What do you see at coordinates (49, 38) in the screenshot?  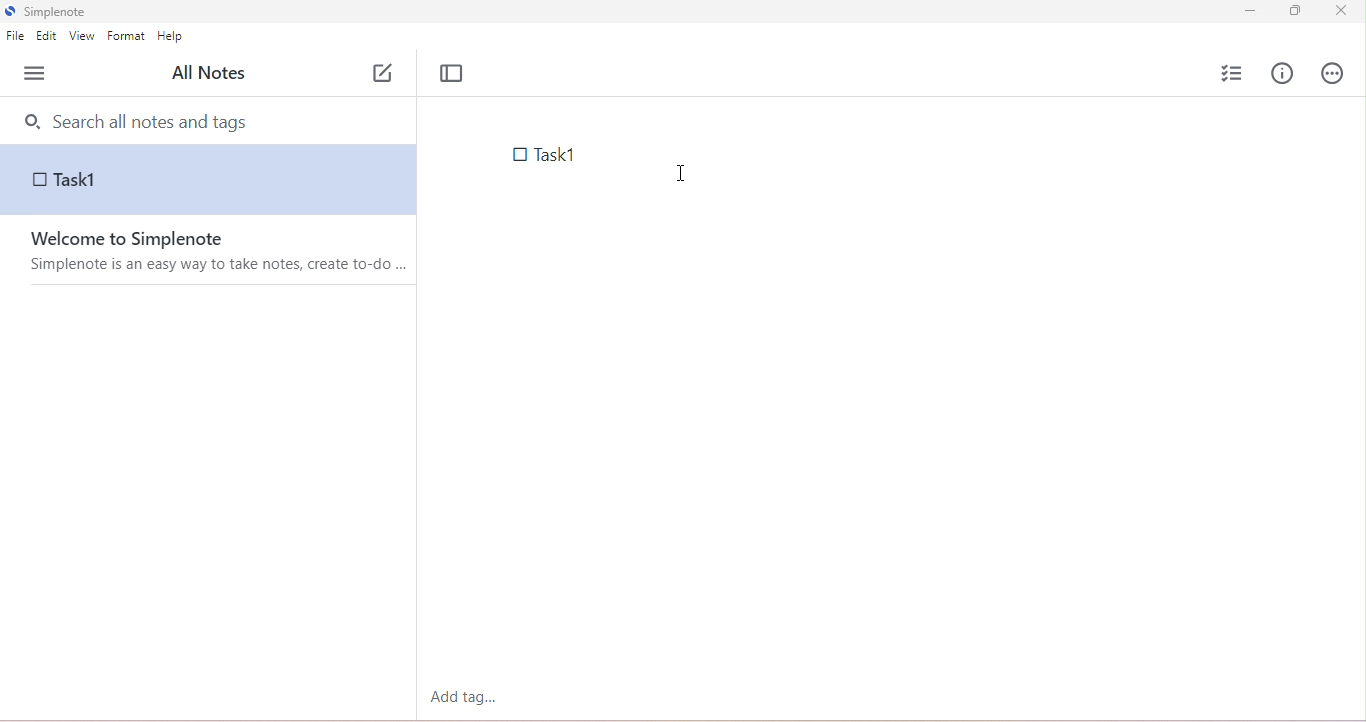 I see `edit` at bounding box center [49, 38].